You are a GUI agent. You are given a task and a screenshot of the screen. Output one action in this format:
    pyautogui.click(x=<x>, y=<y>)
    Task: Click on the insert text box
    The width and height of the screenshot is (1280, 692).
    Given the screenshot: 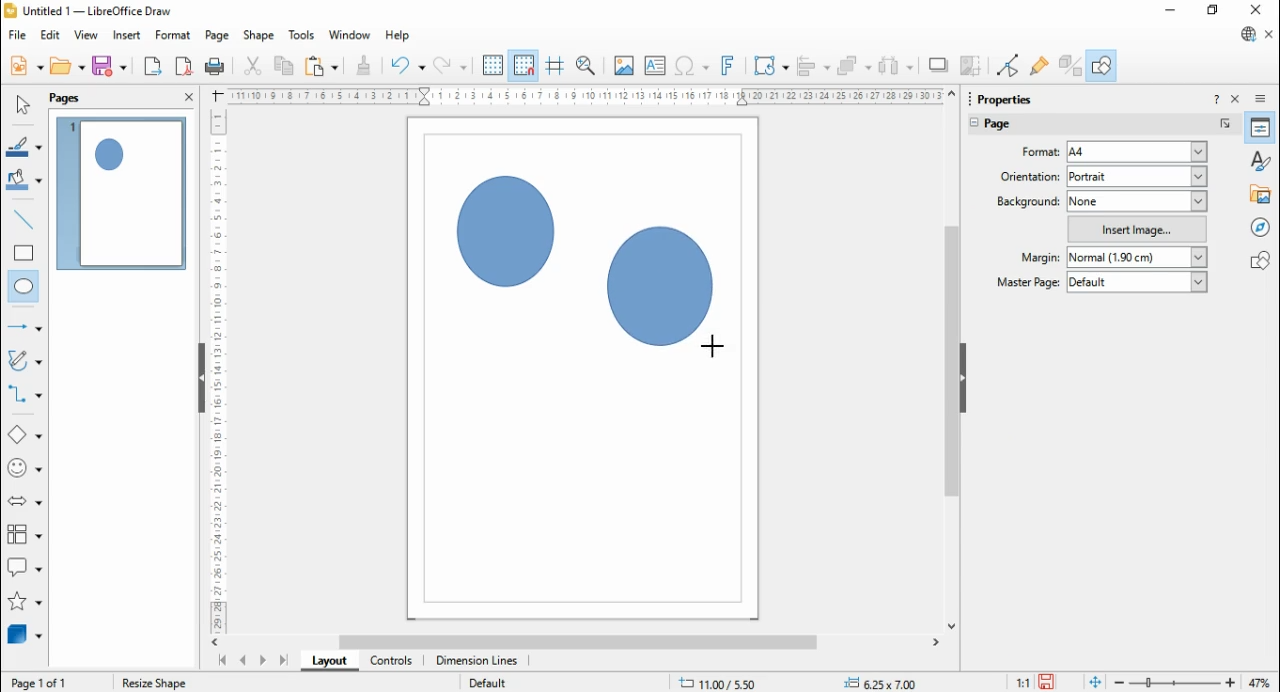 What is the action you would take?
    pyautogui.click(x=654, y=65)
    